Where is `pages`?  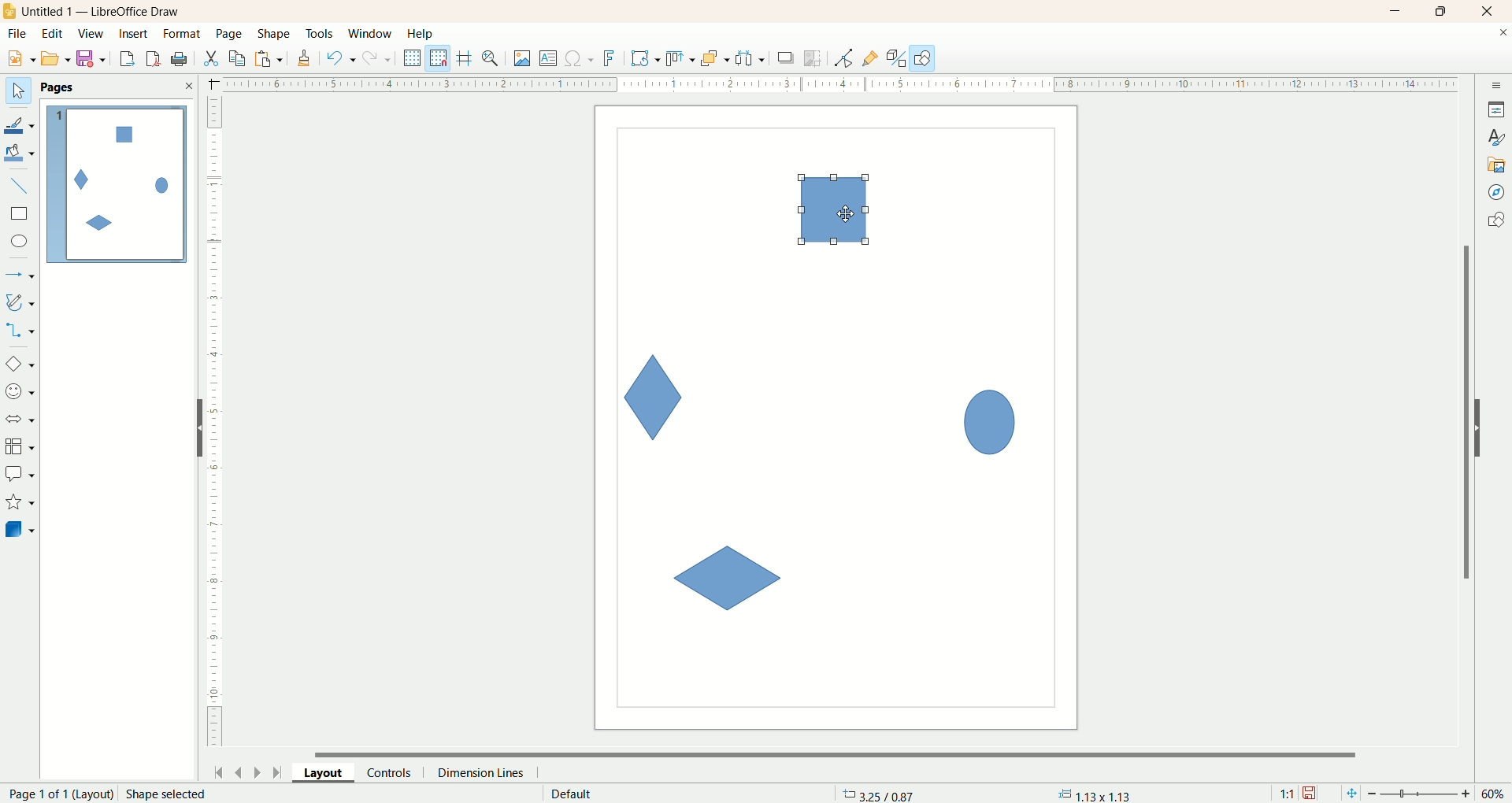 pages is located at coordinates (57, 87).